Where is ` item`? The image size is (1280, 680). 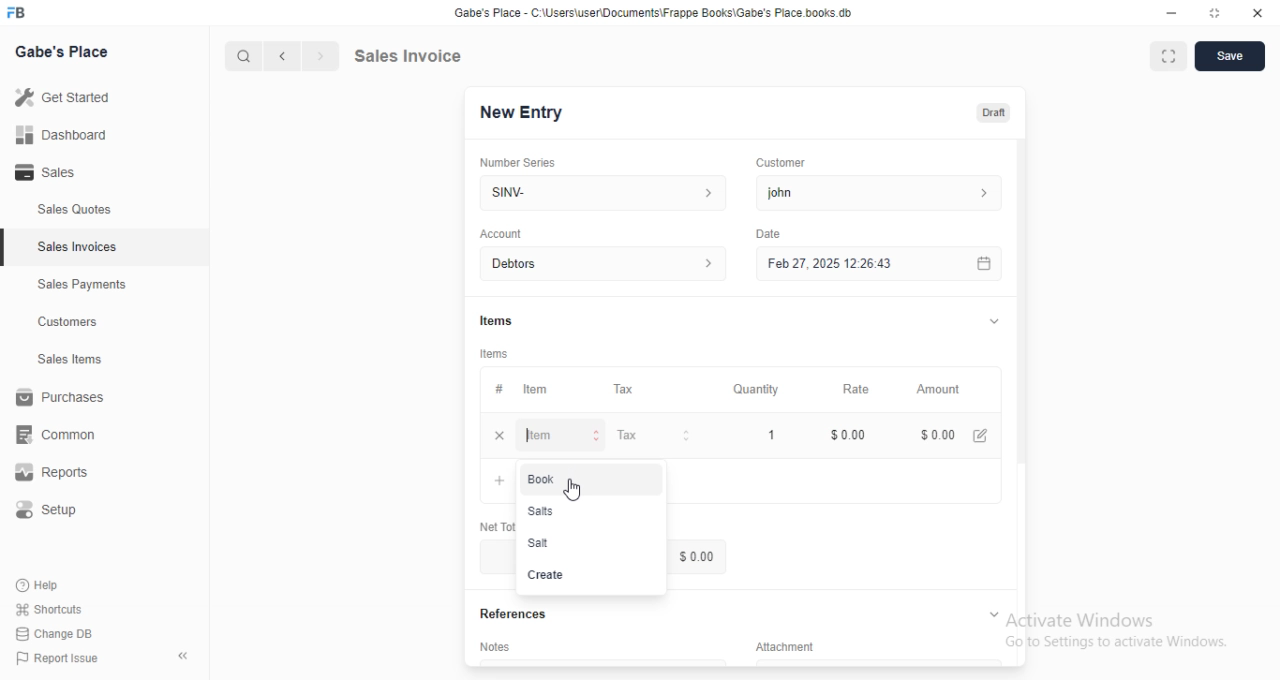  item is located at coordinates (537, 390).